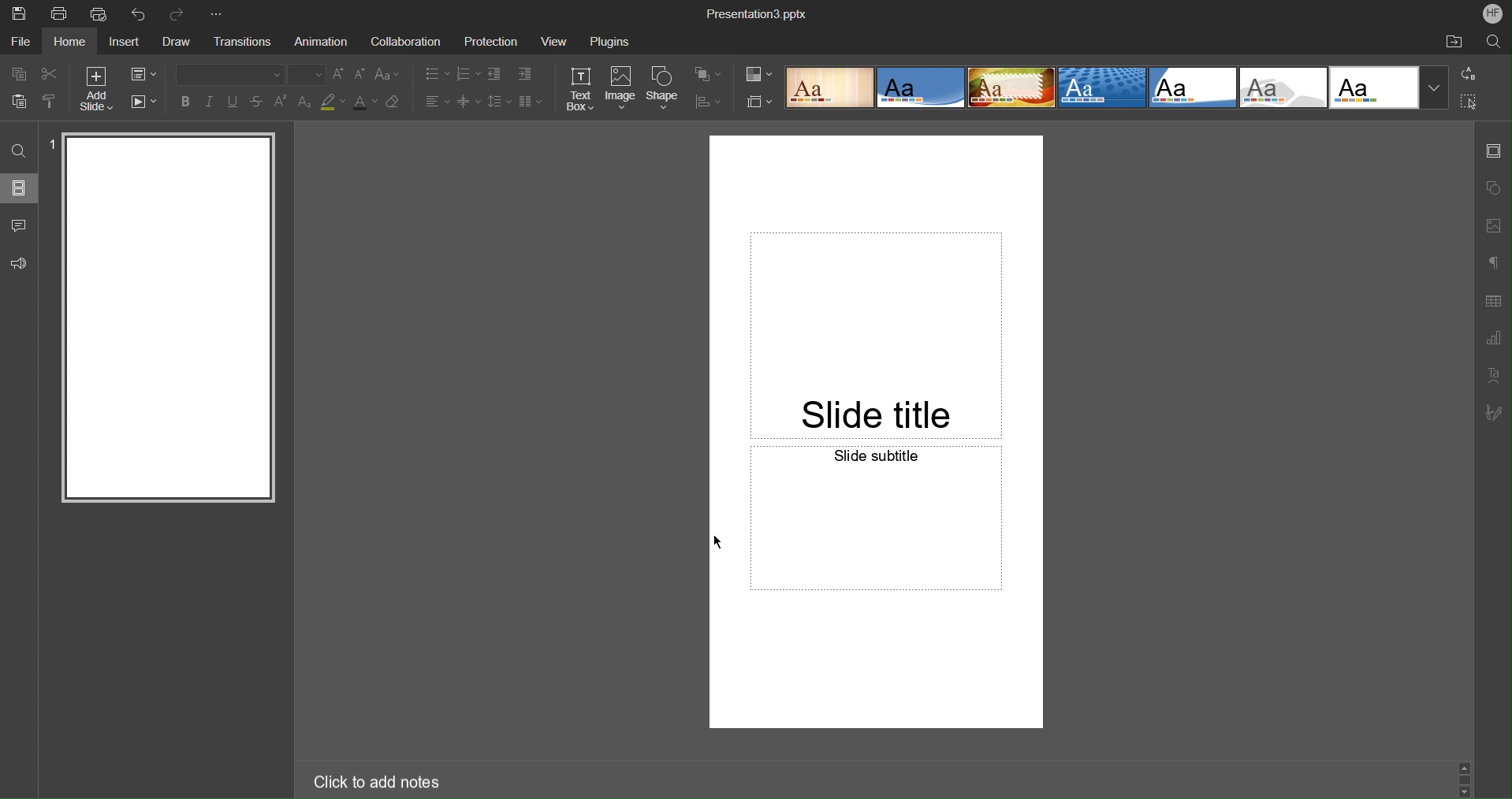 This screenshot has width=1512, height=799. What do you see at coordinates (525, 75) in the screenshot?
I see `Increase Indent` at bounding box center [525, 75].